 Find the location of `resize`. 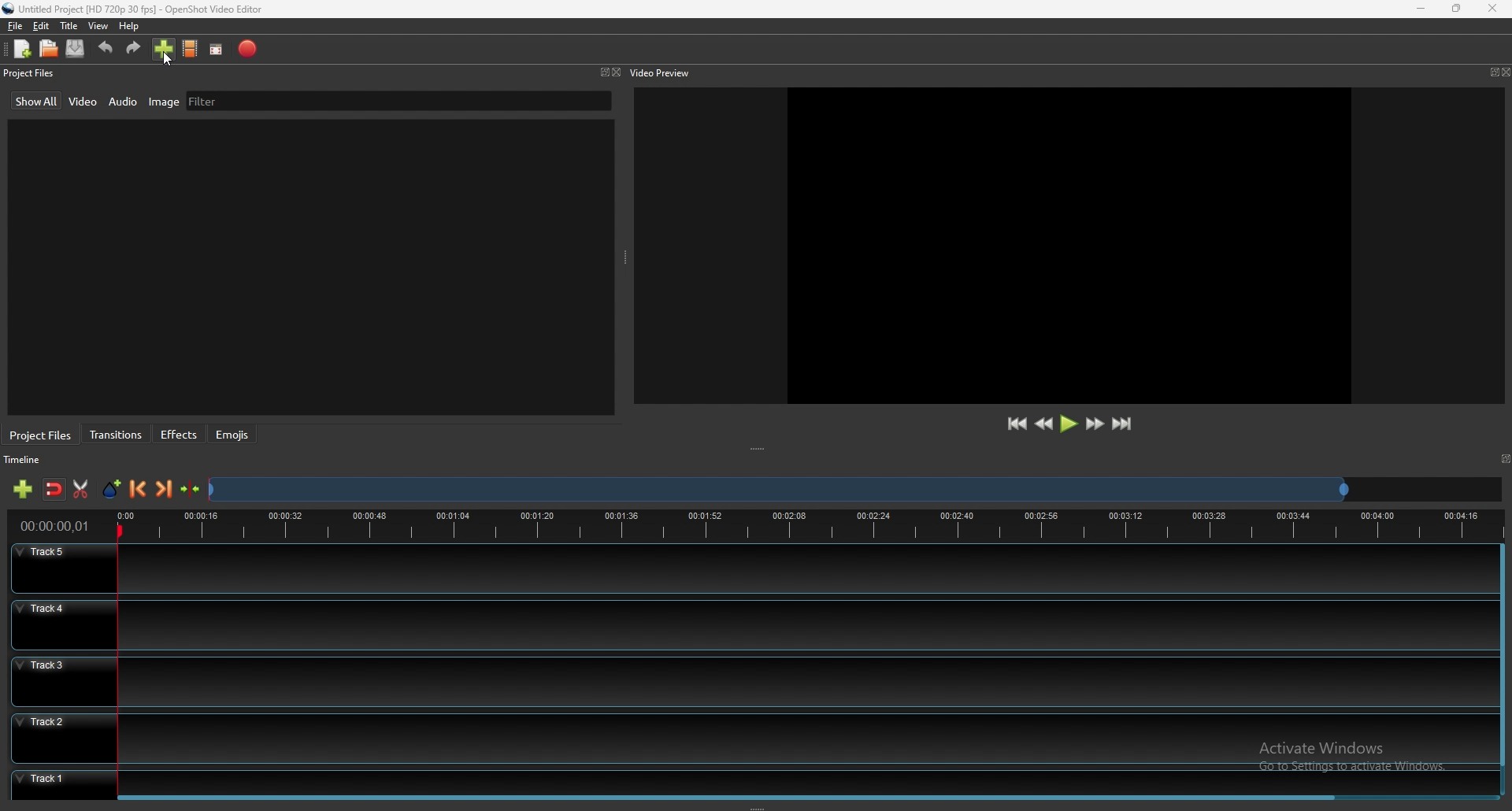

resize is located at coordinates (1457, 8).